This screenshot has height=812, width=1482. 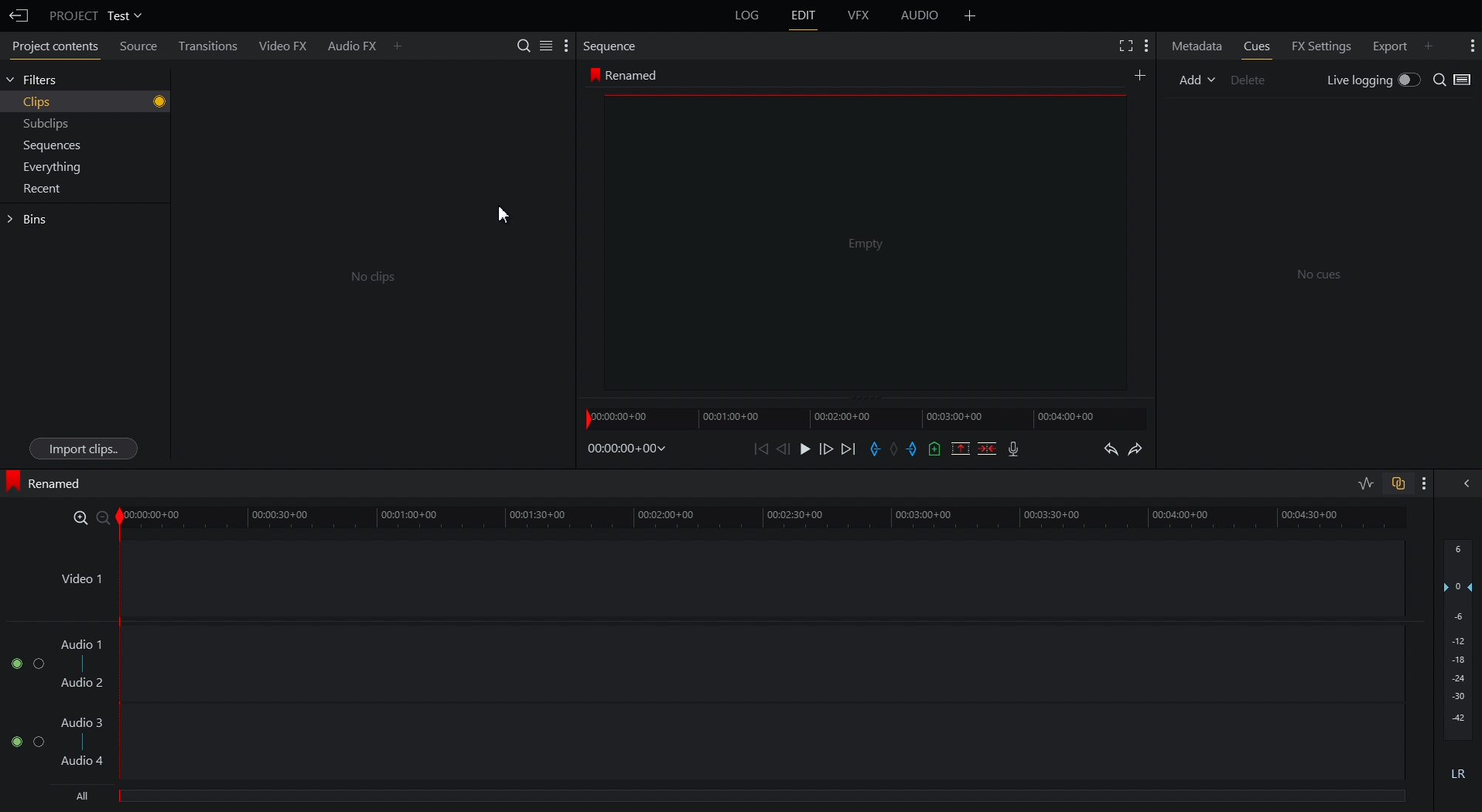 What do you see at coordinates (968, 15) in the screenshot?
I see `Add` at bounding box center [968, 15].